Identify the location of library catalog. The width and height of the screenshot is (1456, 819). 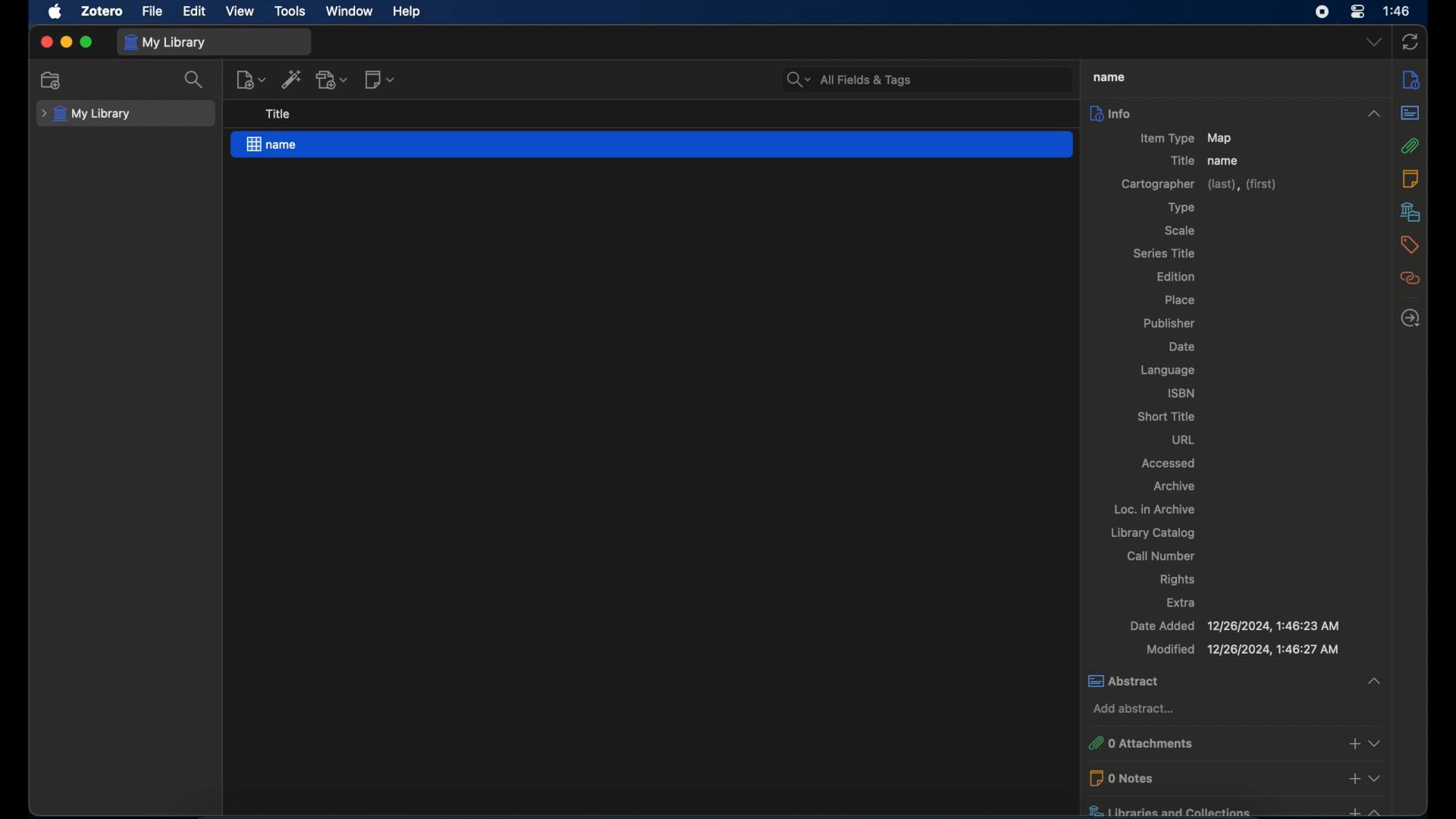
(1154, 532).